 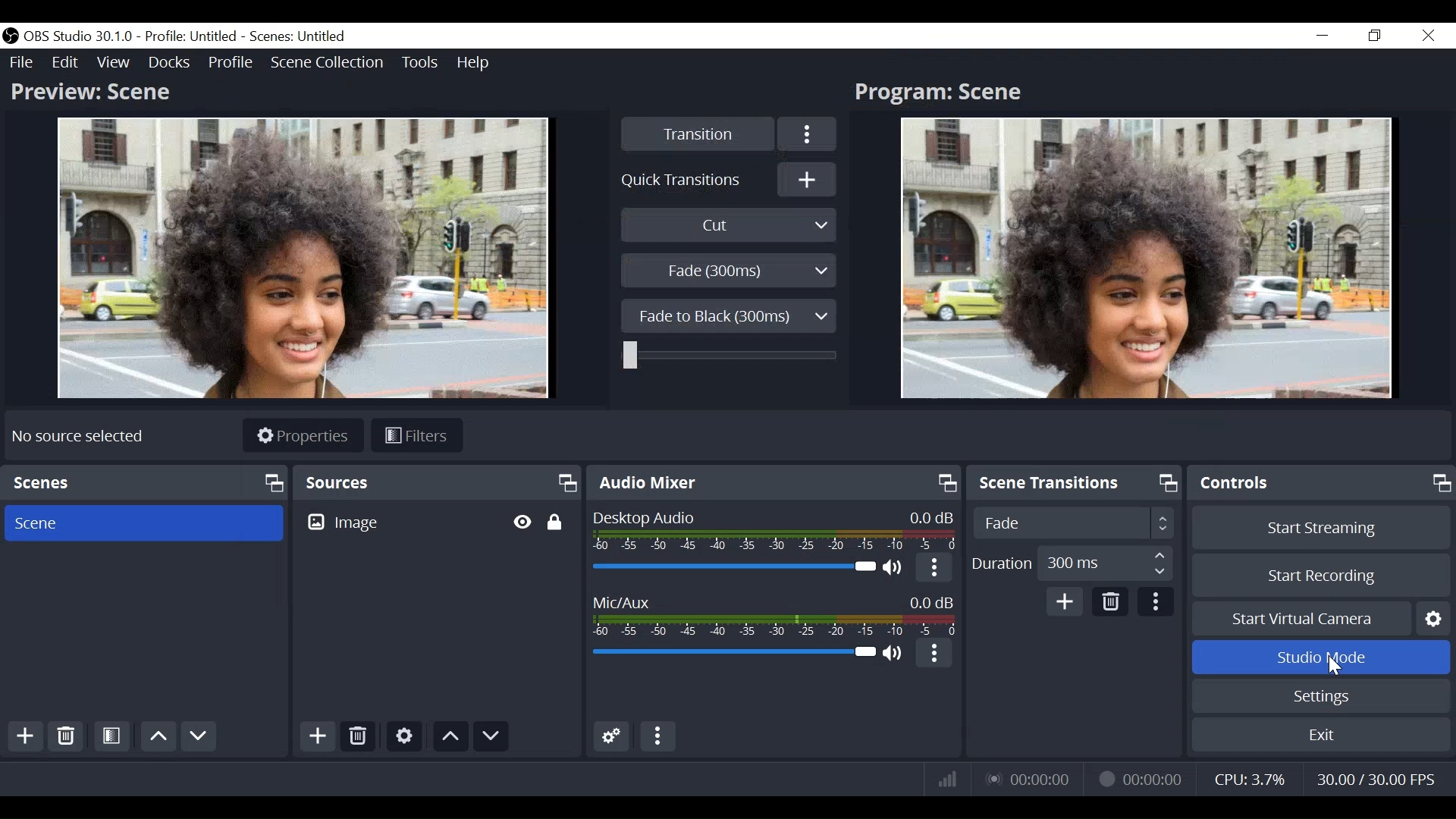 What do you see at coordinates (111, 738) in the screenshot?
I see `Open Scene Filter` at bounding box center [111, 738].